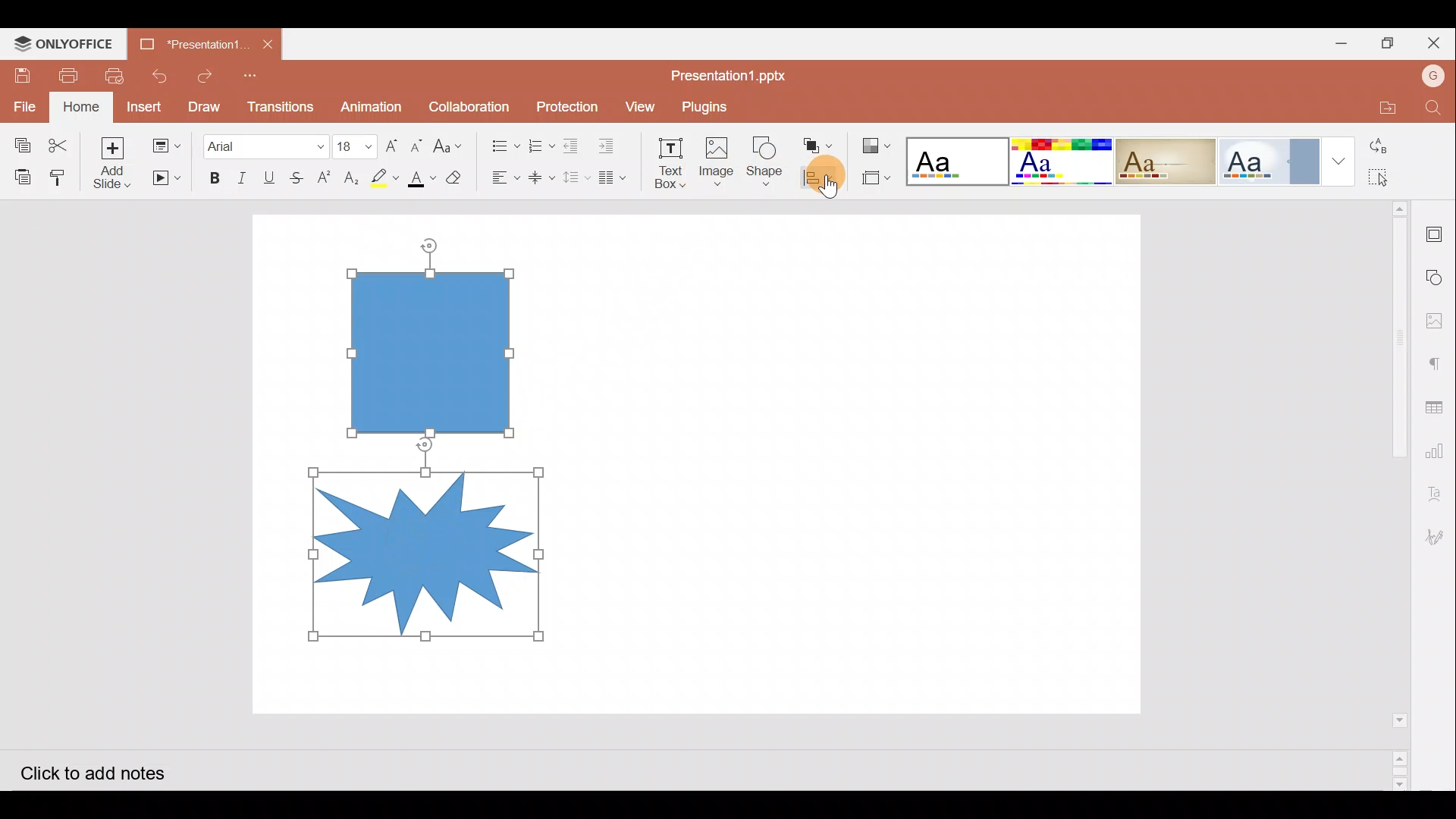 The width and height of the screenshot is (1456, 819). Describe the element at coordinates (1388, 178) in the screenshot. I see `Select all` at that location.